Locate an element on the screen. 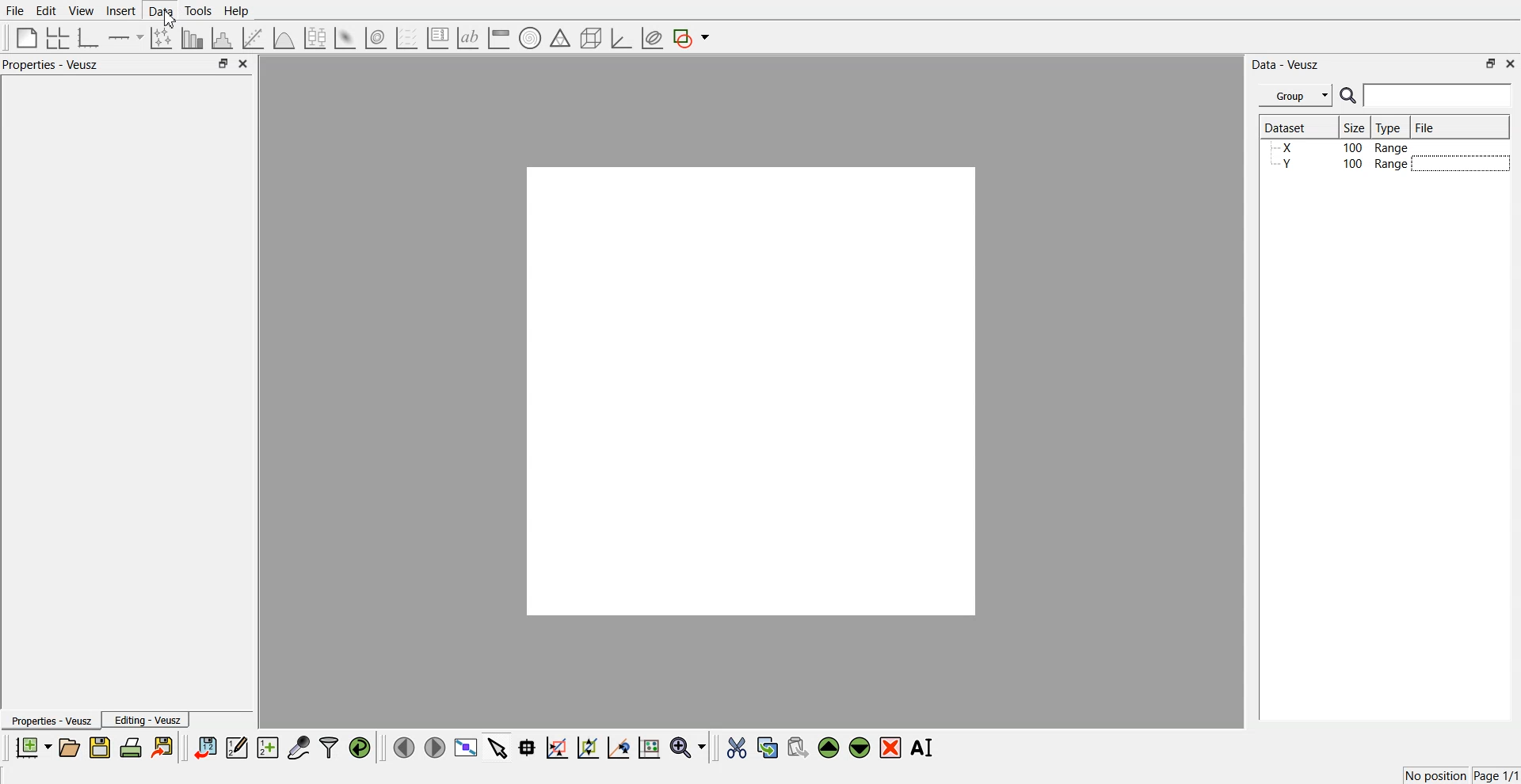 This screenshot has height=784, width=1521. Blank page is located at coordinates (27, 37).